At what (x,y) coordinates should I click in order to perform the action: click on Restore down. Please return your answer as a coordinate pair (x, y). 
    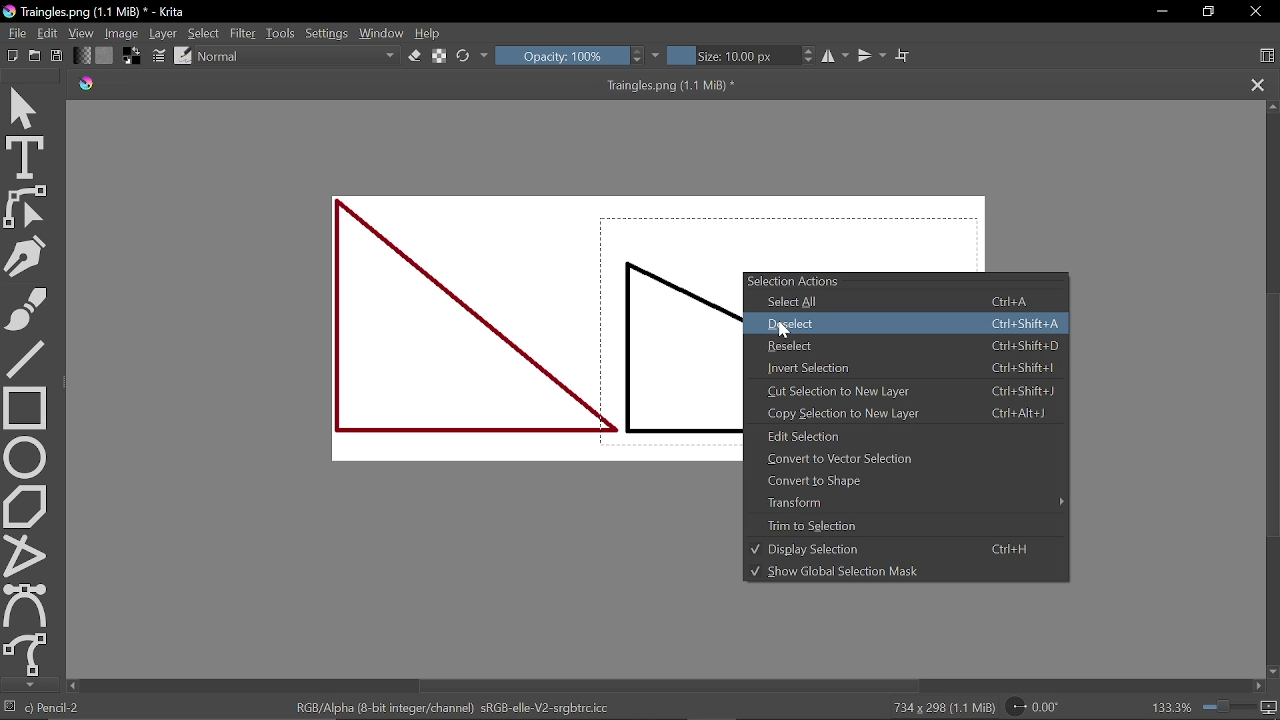
    Looking at the image, I should click on (1211, 13).